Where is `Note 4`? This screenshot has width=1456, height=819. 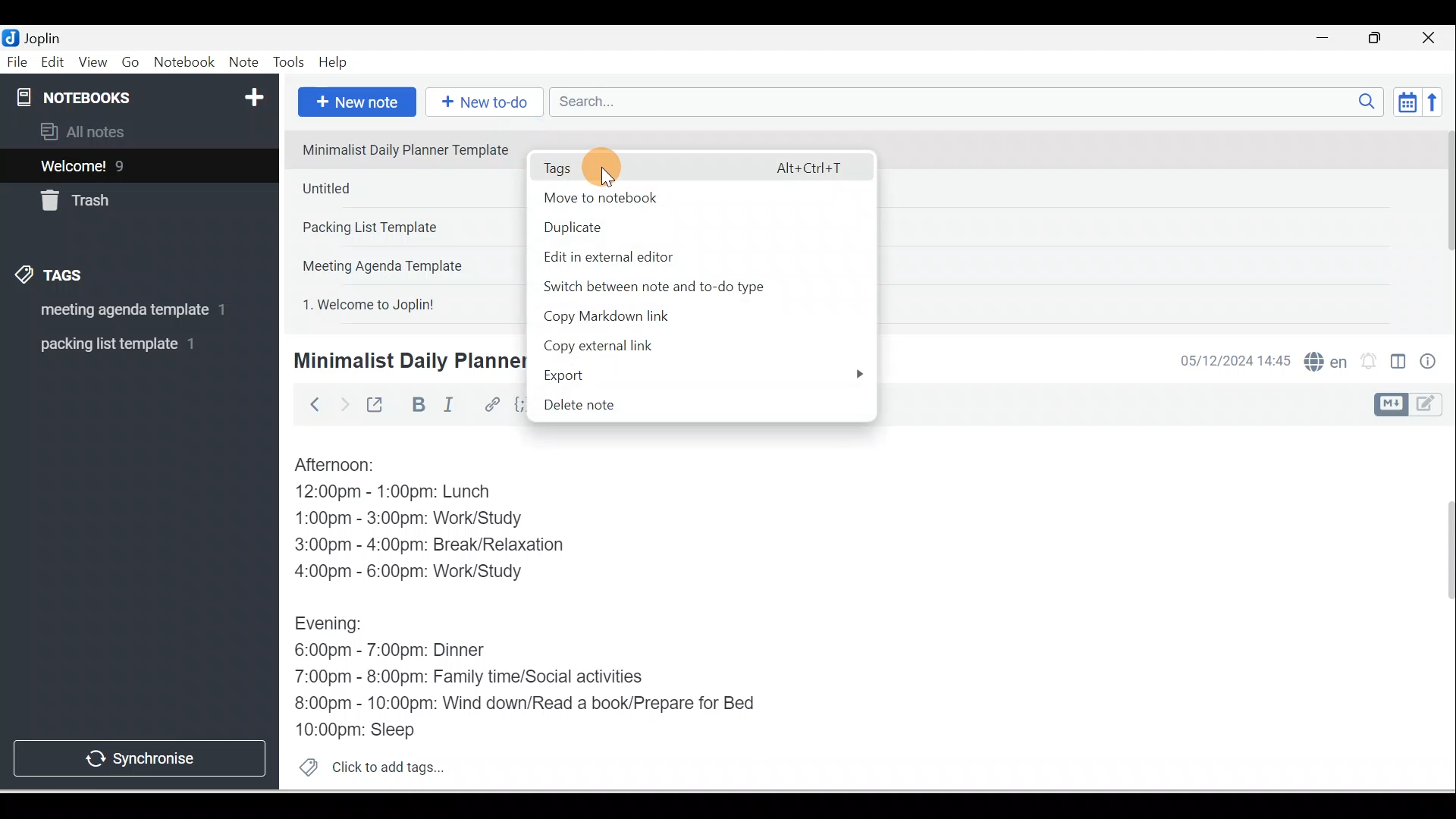 Note 4 is located at coordinates (403, 262).